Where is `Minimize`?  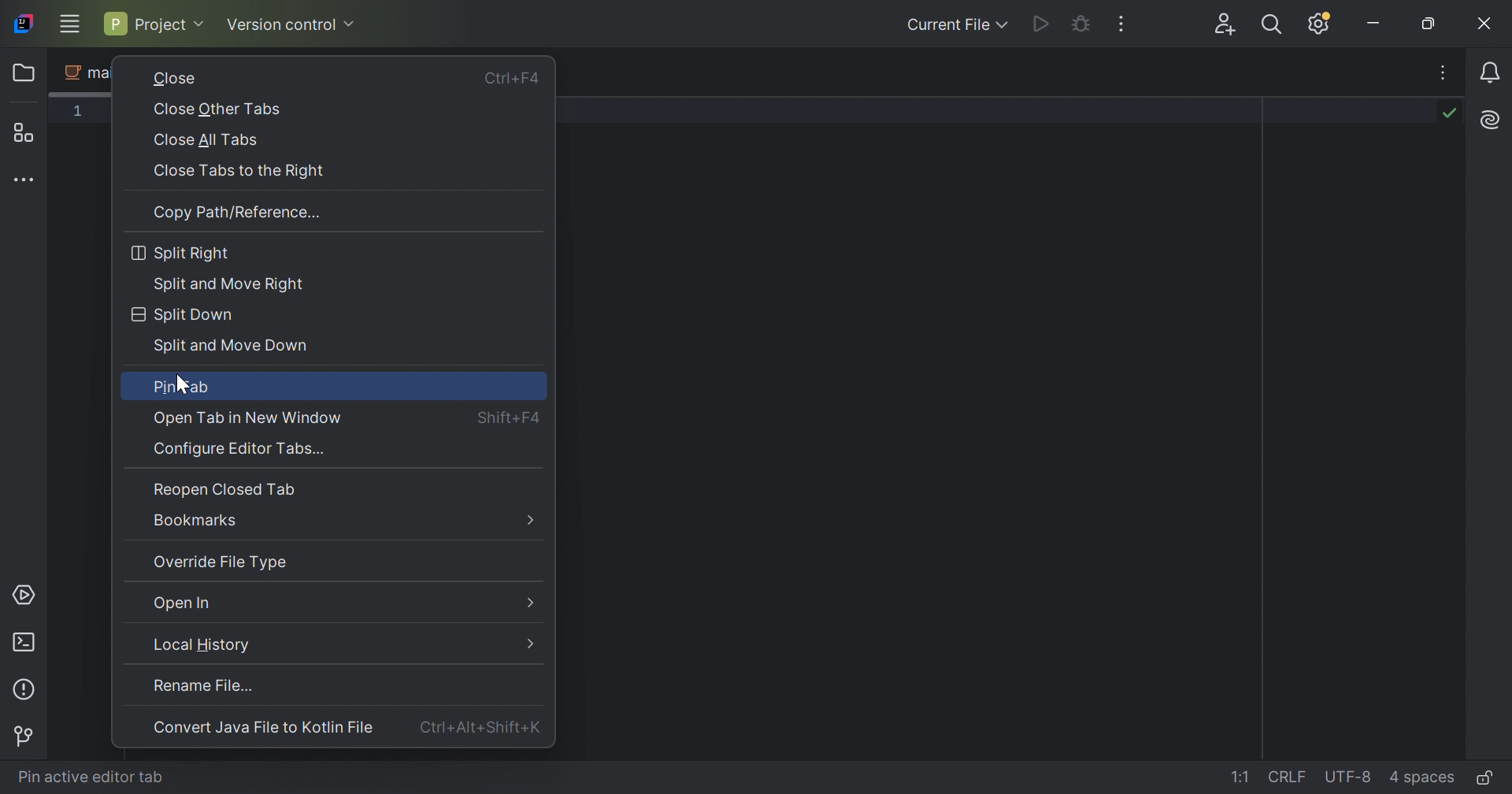
Minimize is located at coordinates (1374, 24).